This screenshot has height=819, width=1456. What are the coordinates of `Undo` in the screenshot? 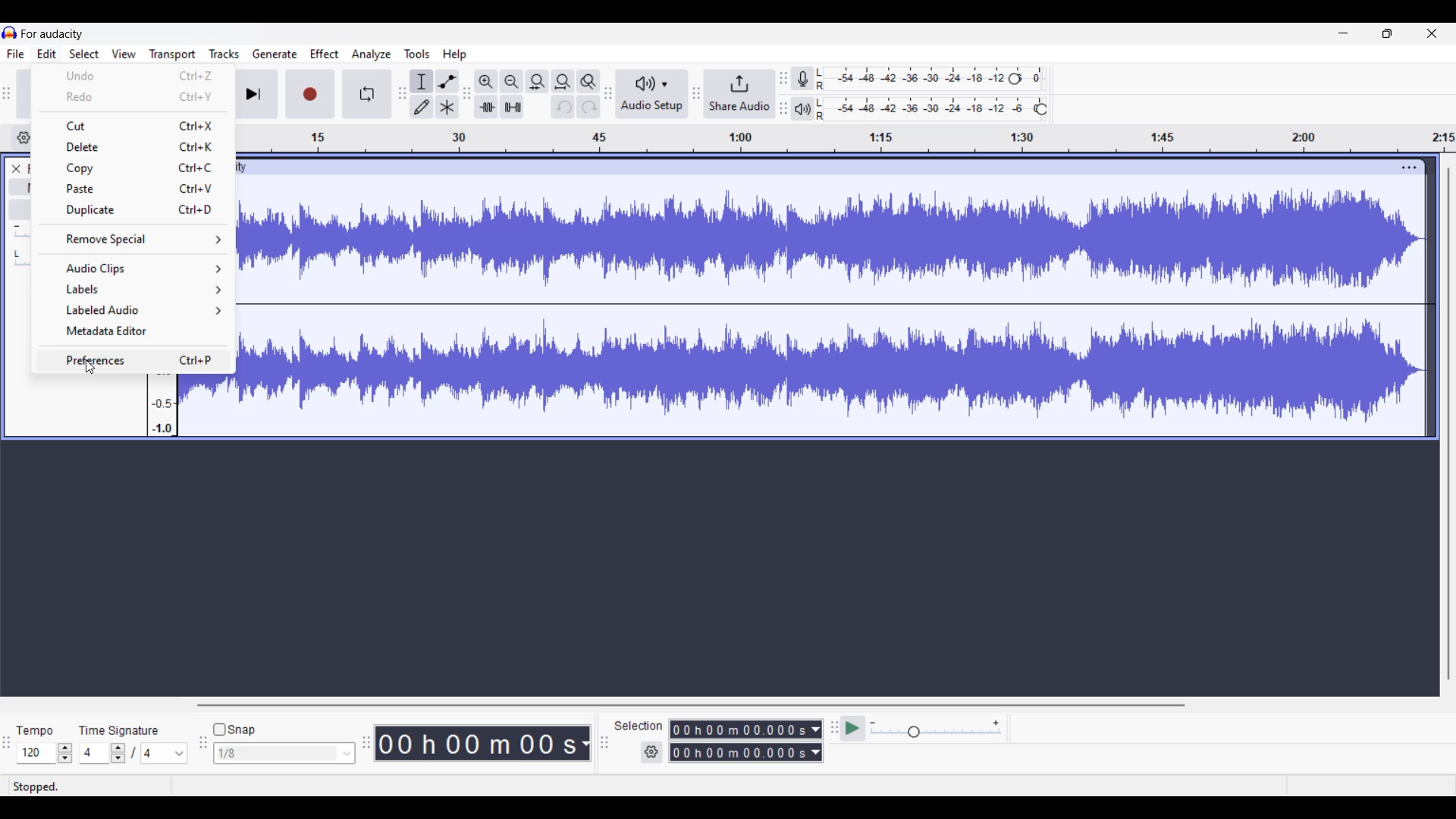 It's located at (563, 107).